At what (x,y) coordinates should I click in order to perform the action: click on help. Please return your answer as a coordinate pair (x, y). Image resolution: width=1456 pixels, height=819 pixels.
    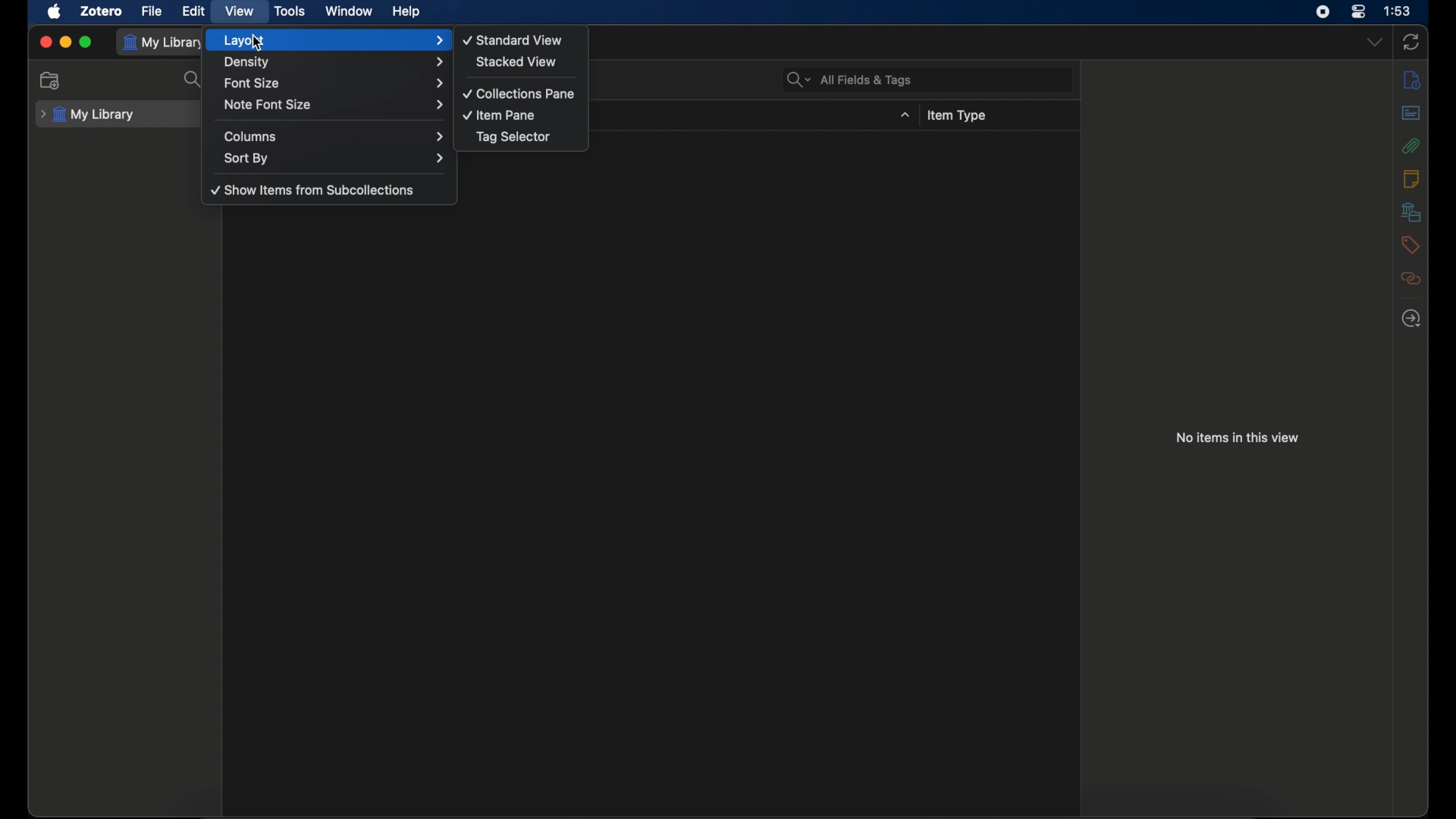
    Looking at the image, I should click on (406, 12).